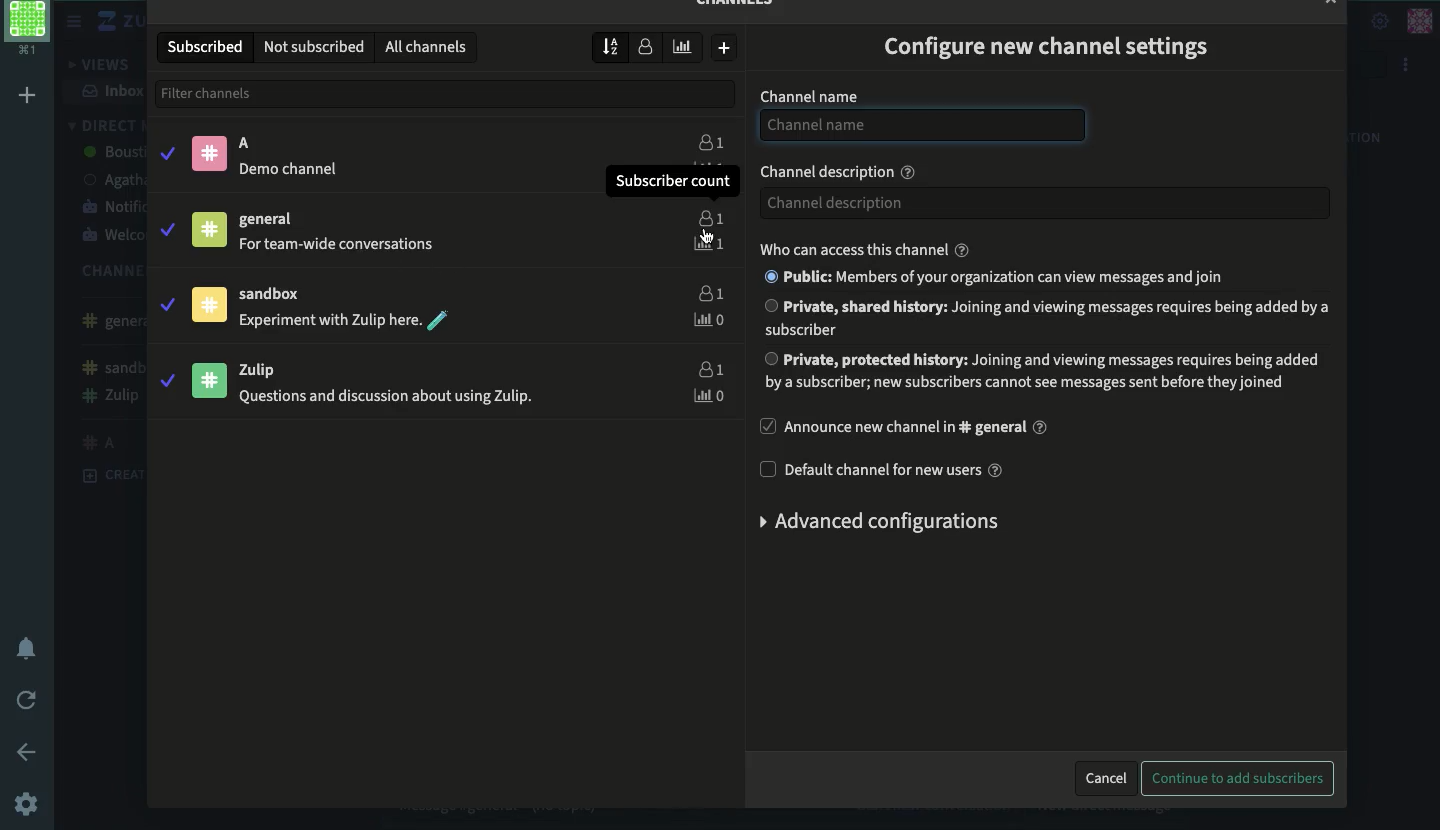 The height and width of the screenshot is (830, 1440). What do you see at coordinates (95, 66) in the screenshot?
I see `views` at bounding box center [95, 66].